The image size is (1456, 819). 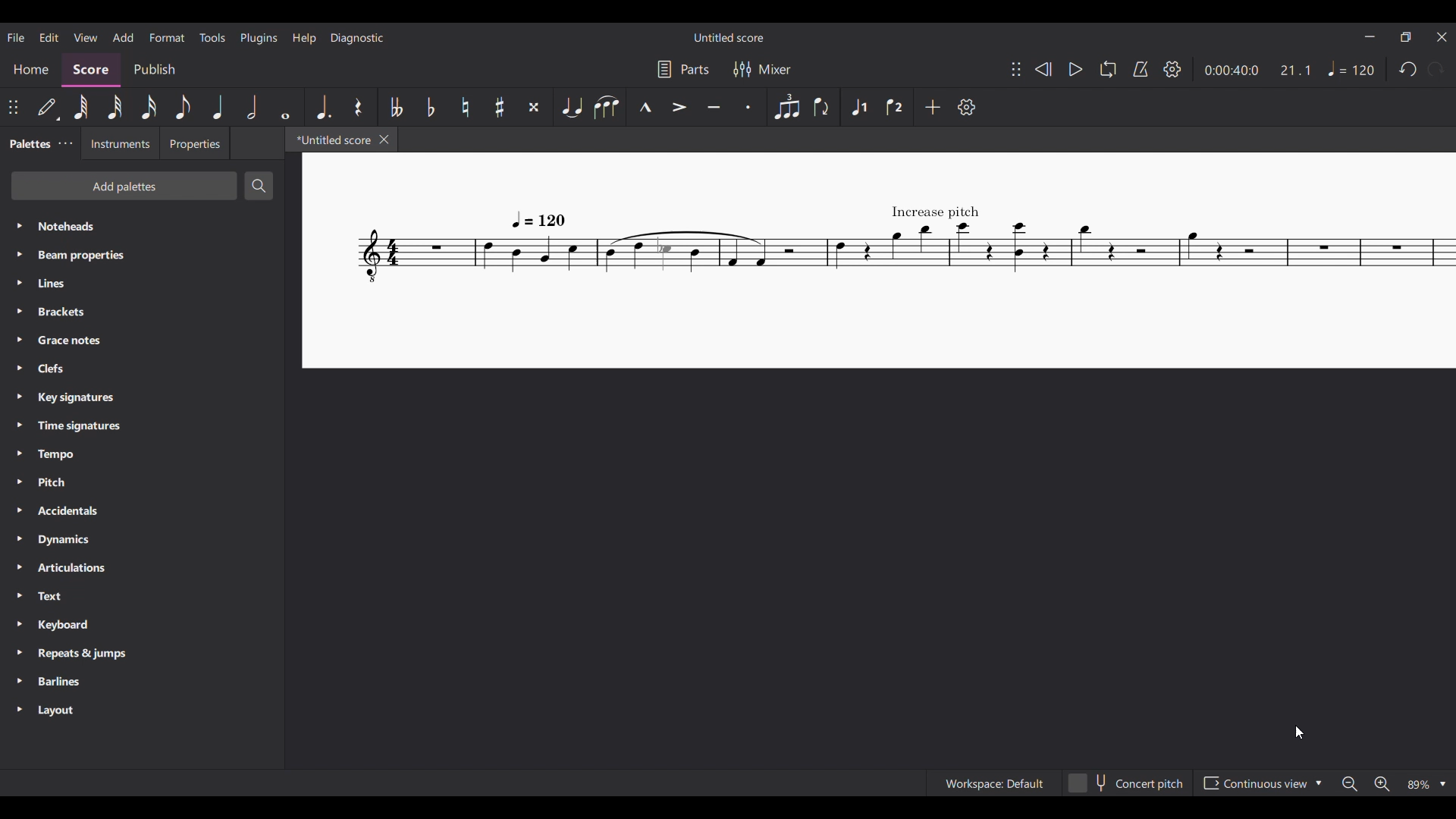 What do you see at coordinates (143, 312) in the screenshot?
I see `Brackets` at bounding box center [143, 312].